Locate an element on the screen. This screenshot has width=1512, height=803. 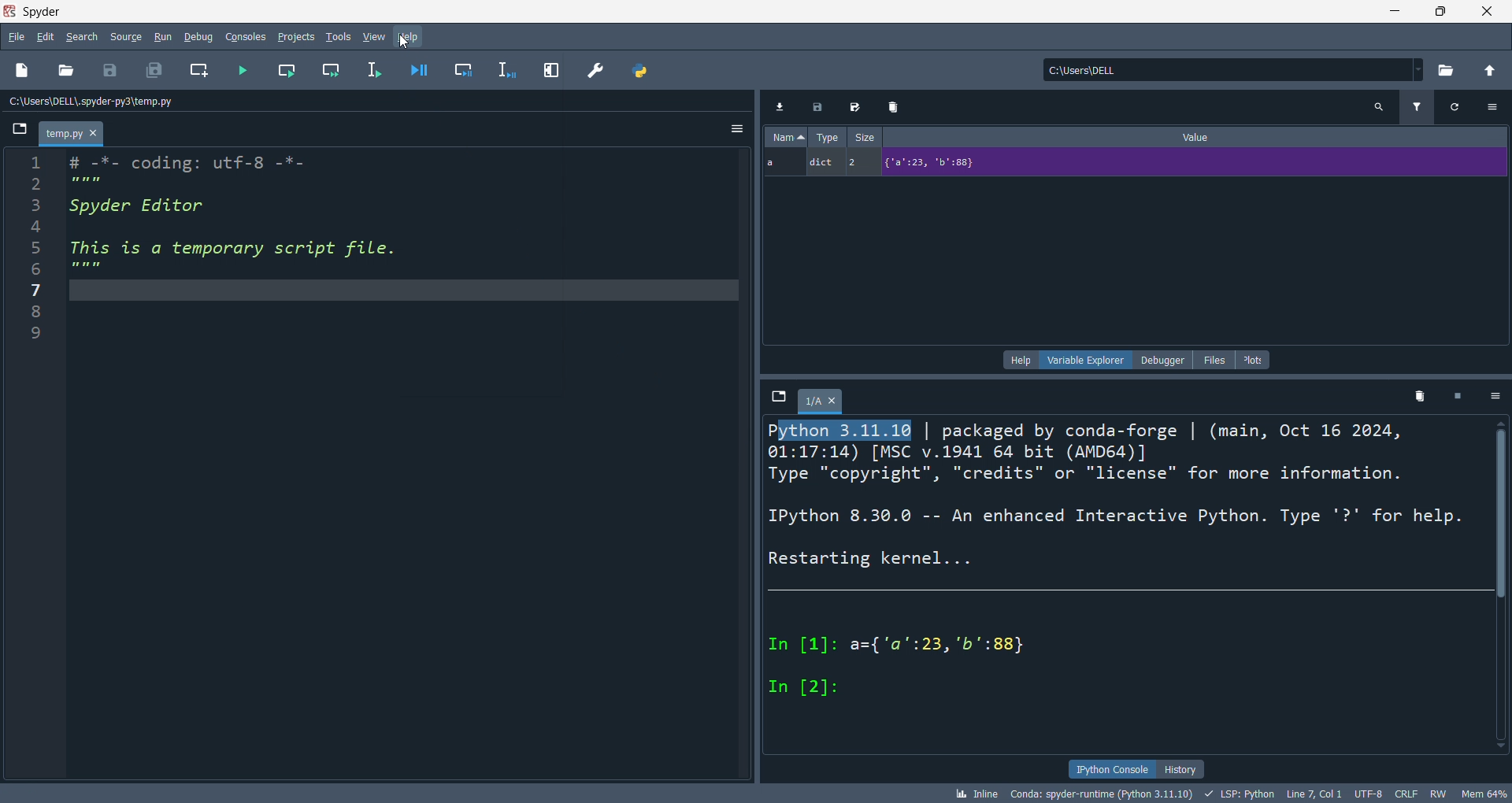
source is located at coordinates (126, 38).